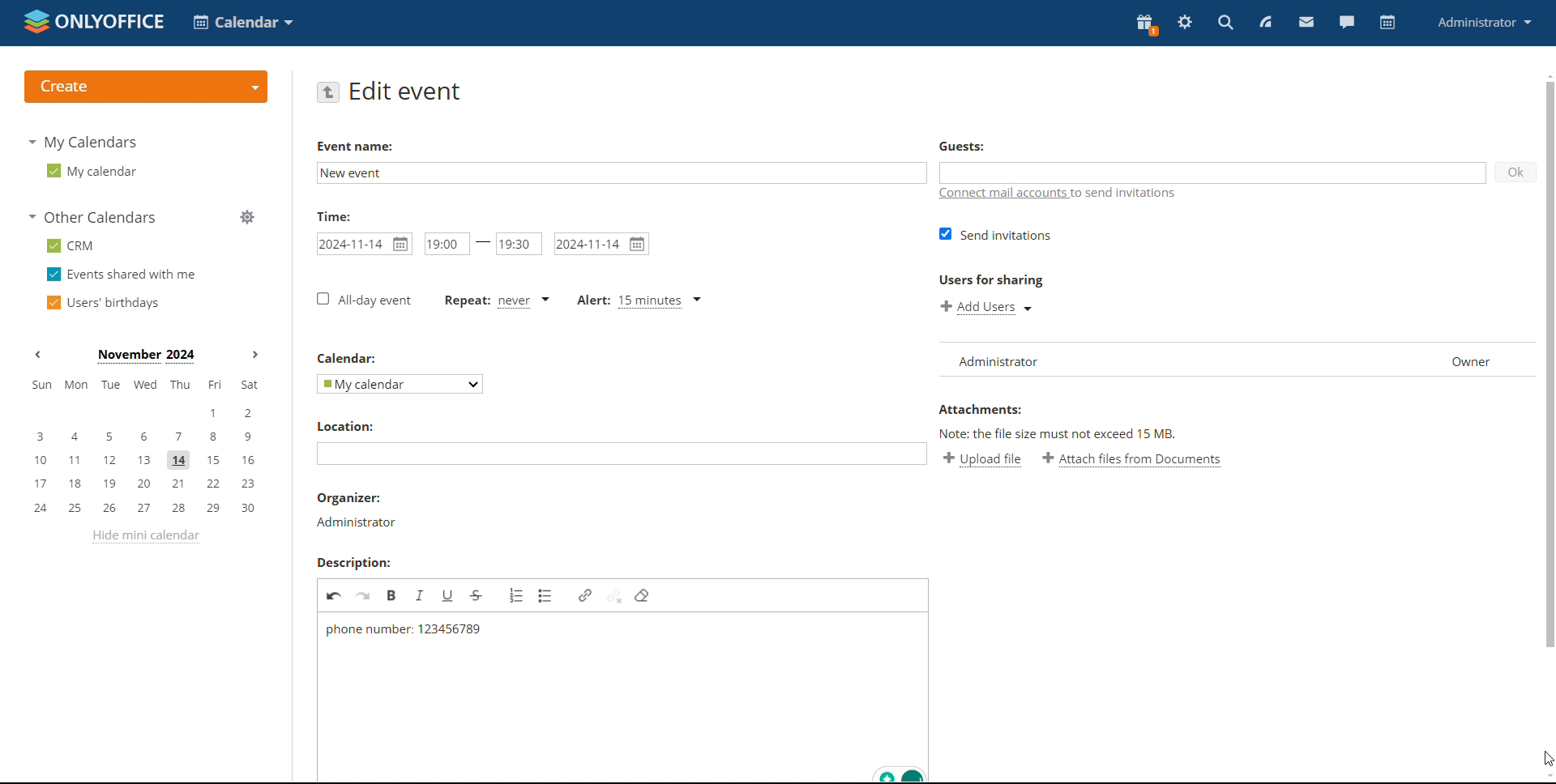 The image size is (1556, 784). I want to click on send invitation, so click(994, 234).